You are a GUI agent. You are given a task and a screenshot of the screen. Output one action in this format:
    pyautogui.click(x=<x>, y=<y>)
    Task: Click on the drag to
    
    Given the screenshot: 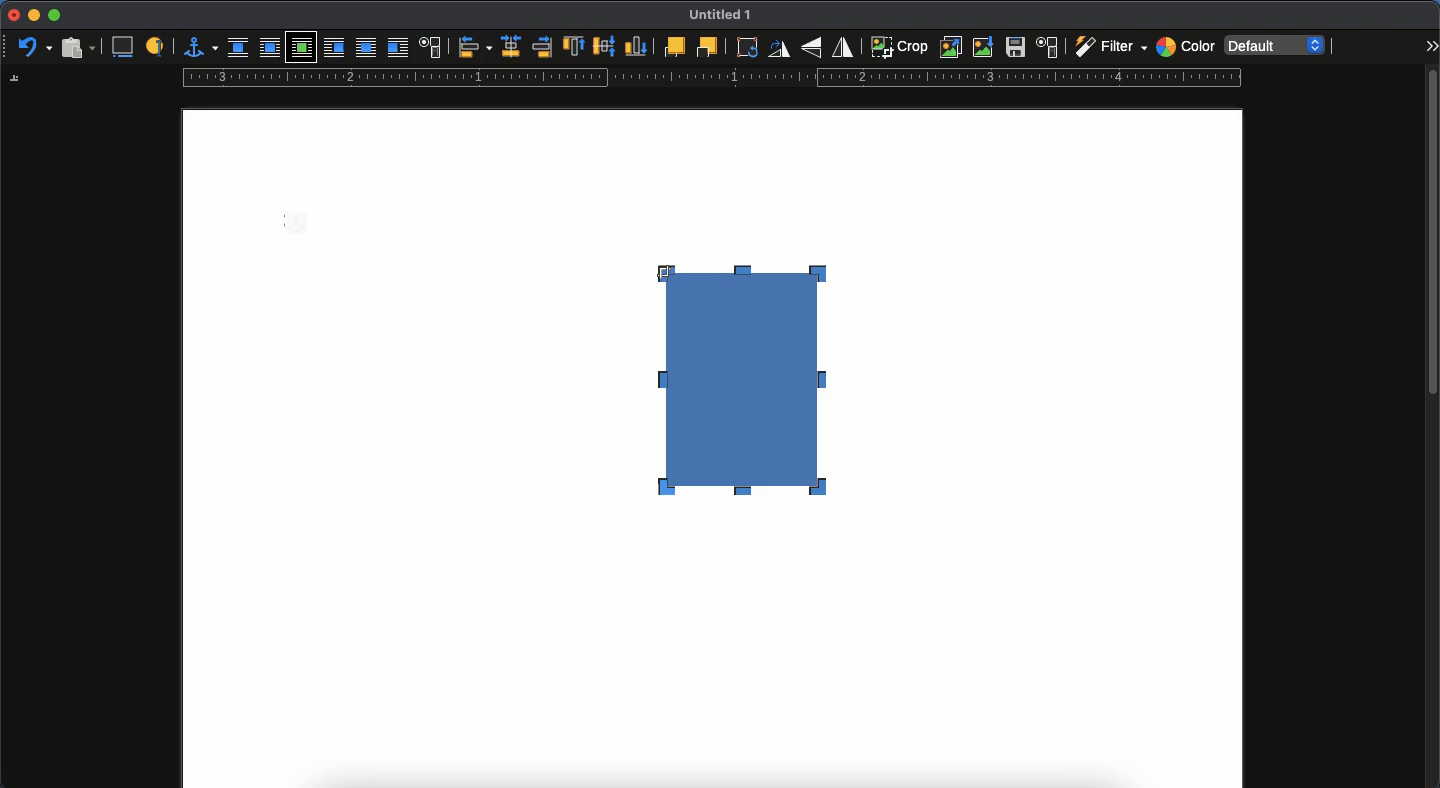 What is the action you would take?
    pyautogui.click(x=667, y=271)
    